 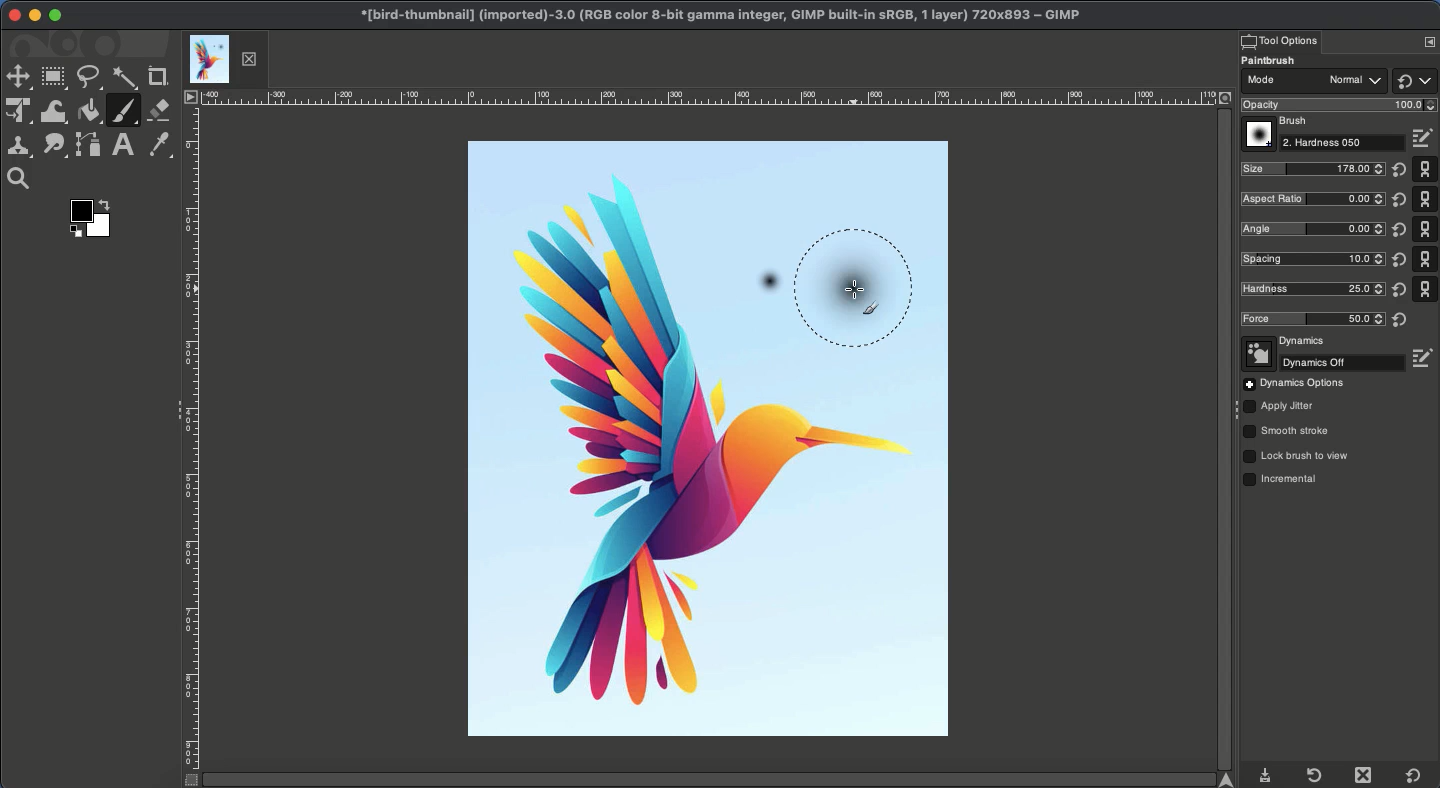 I want to click on Mode, so click(x=1313, y=83).